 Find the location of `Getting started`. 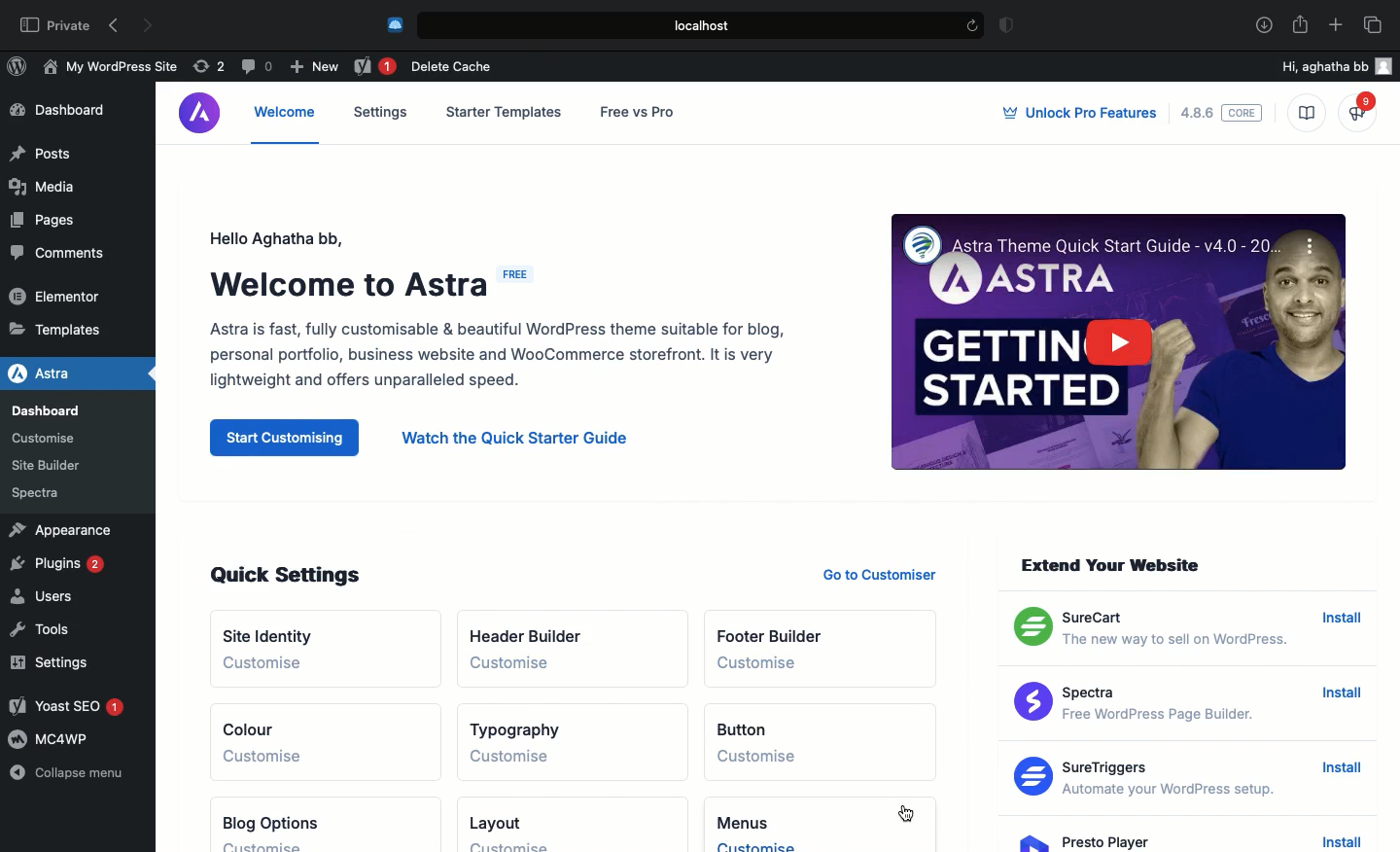

Getting started is located at coordinates (1122, 341).